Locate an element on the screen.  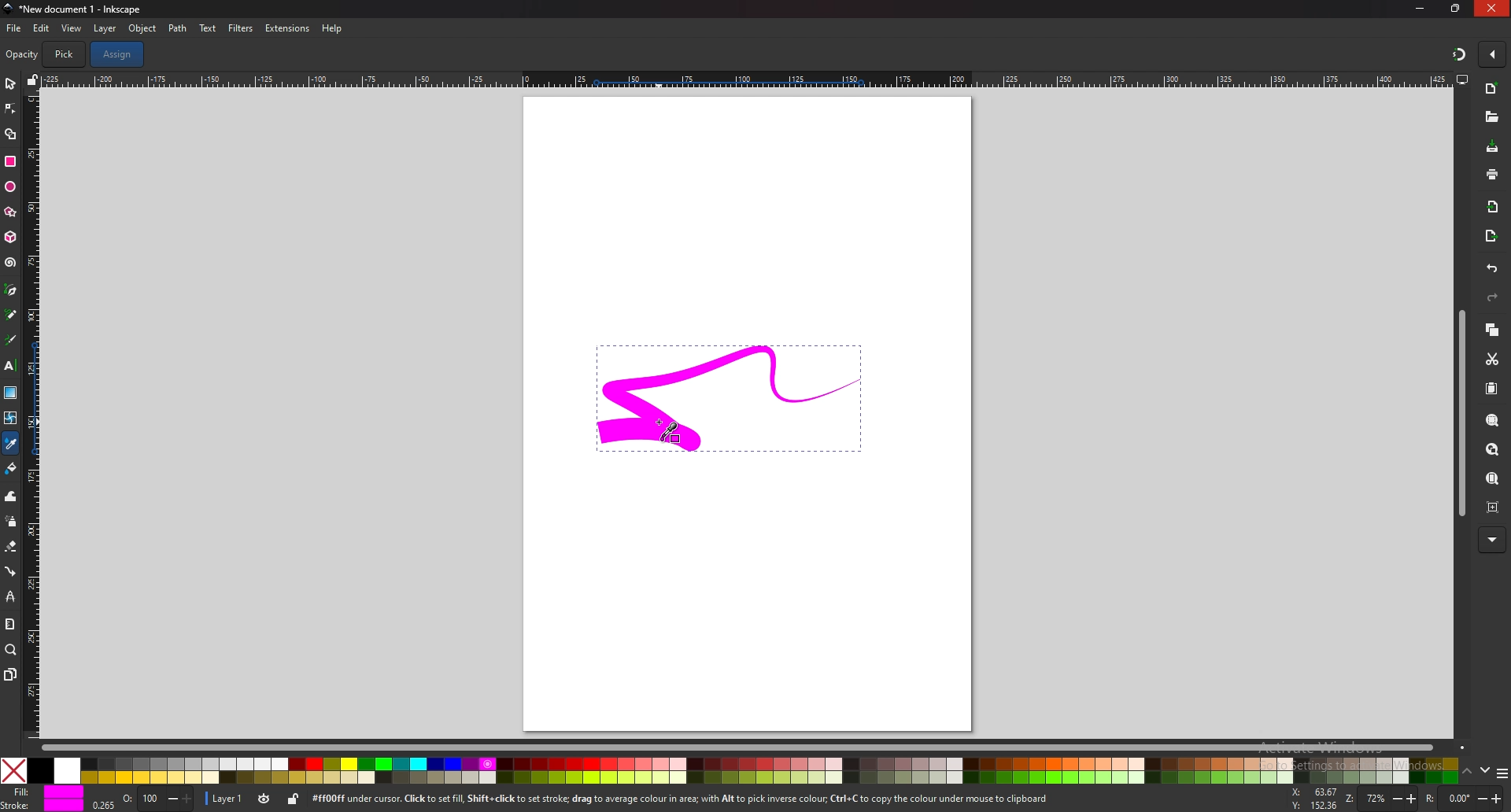
connector is located at coordinates (11, 572).